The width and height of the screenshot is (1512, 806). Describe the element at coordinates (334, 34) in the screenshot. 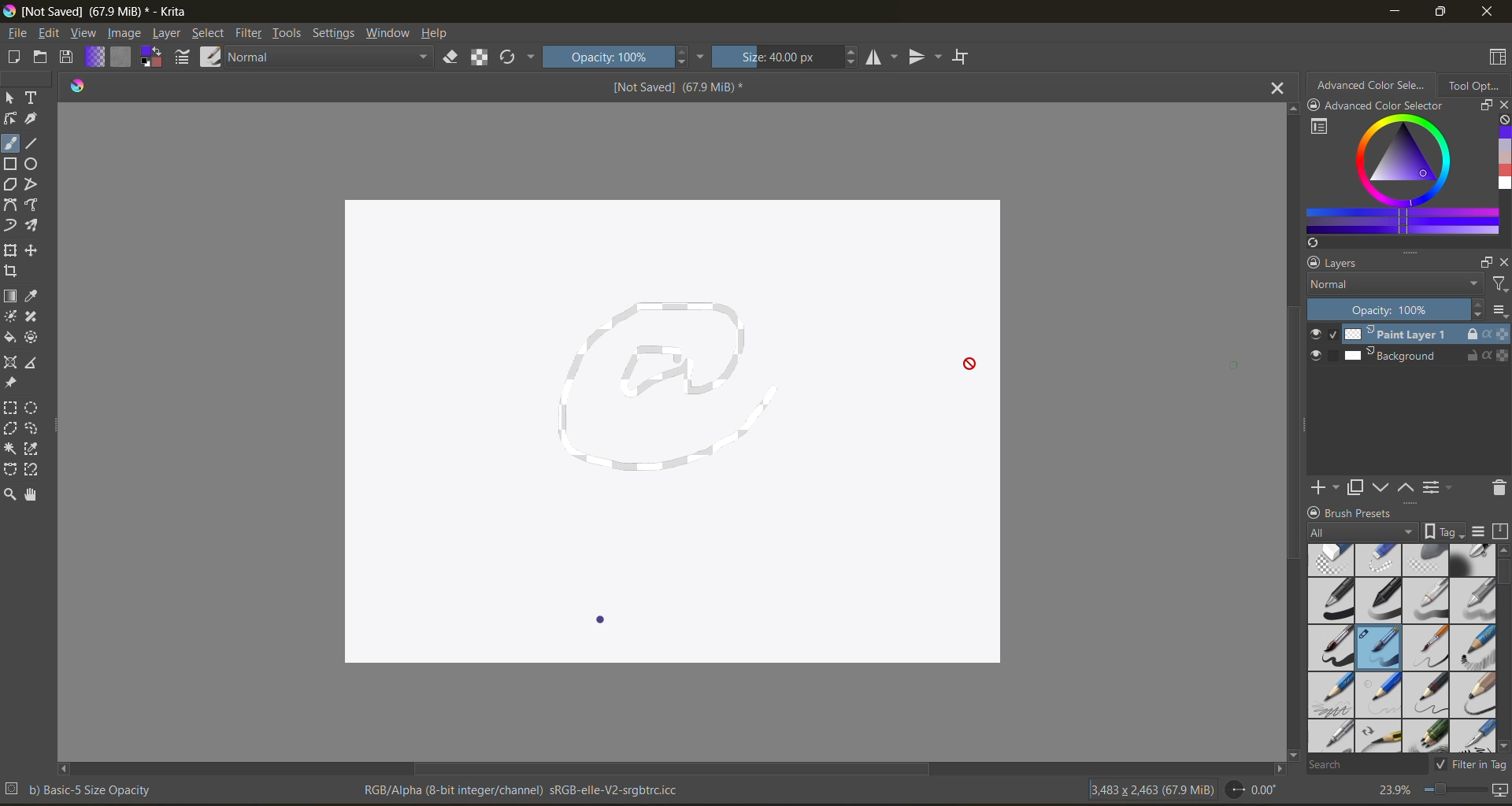

I see `settings` at that location.